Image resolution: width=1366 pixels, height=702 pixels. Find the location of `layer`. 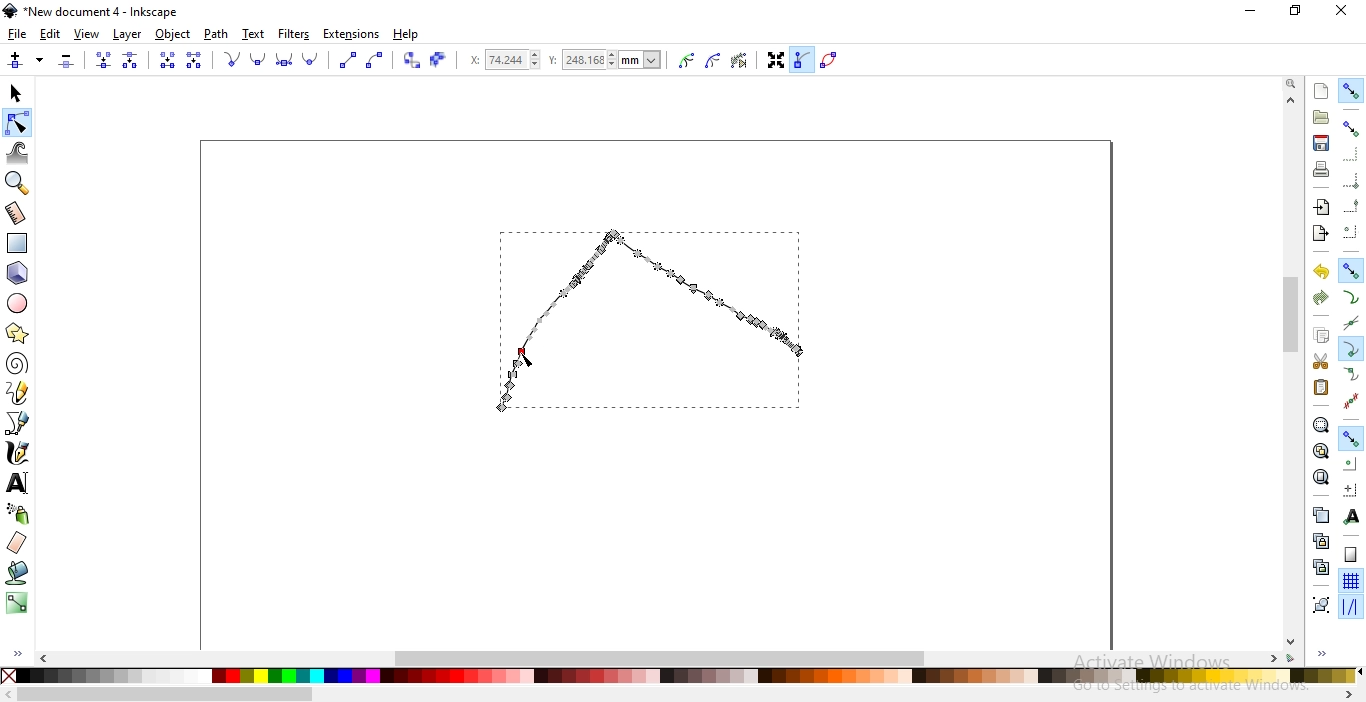

layer is located at coordinates (128, 35).